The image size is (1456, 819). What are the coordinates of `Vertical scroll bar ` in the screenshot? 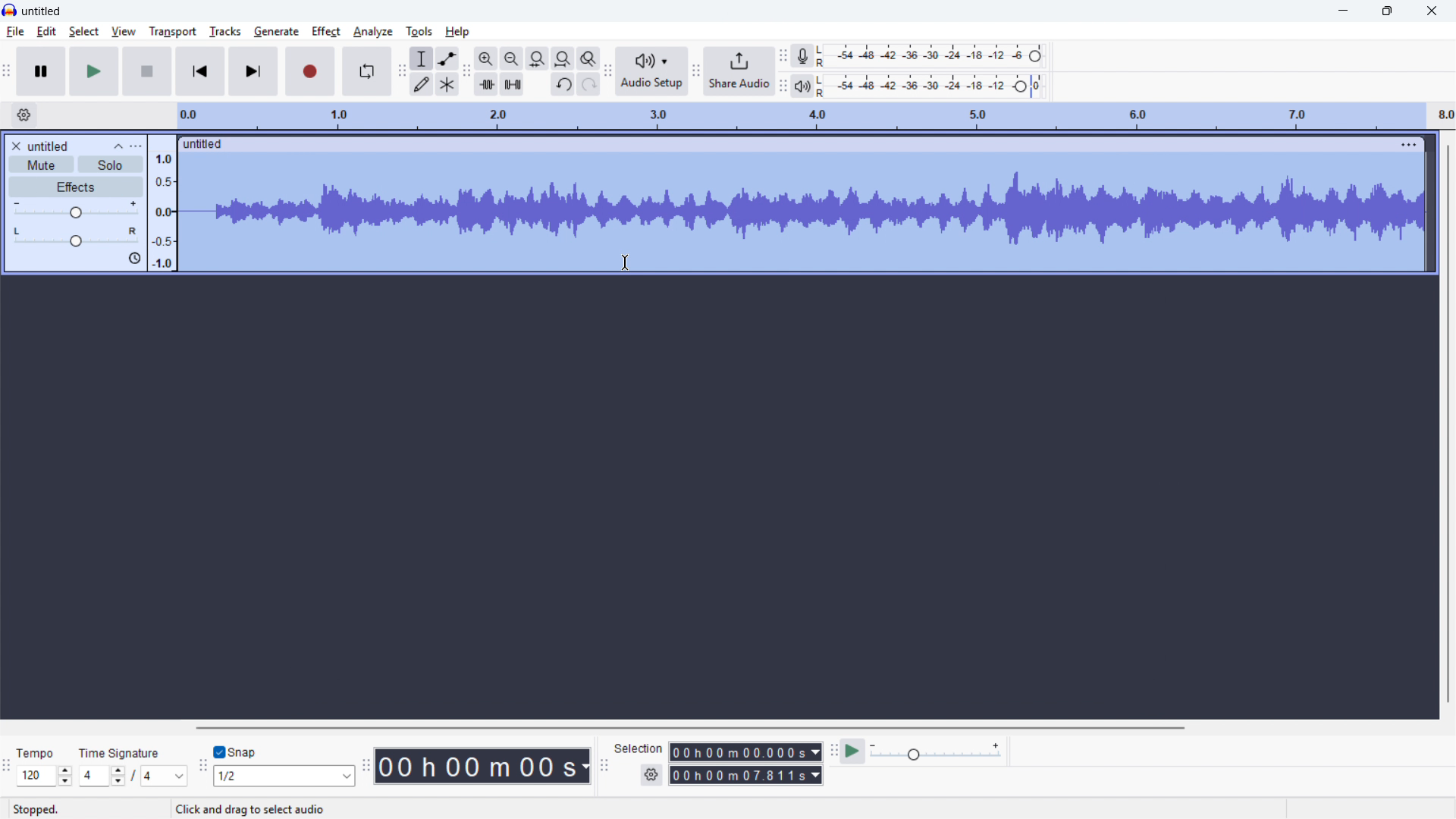 It's located at (1448, 424).